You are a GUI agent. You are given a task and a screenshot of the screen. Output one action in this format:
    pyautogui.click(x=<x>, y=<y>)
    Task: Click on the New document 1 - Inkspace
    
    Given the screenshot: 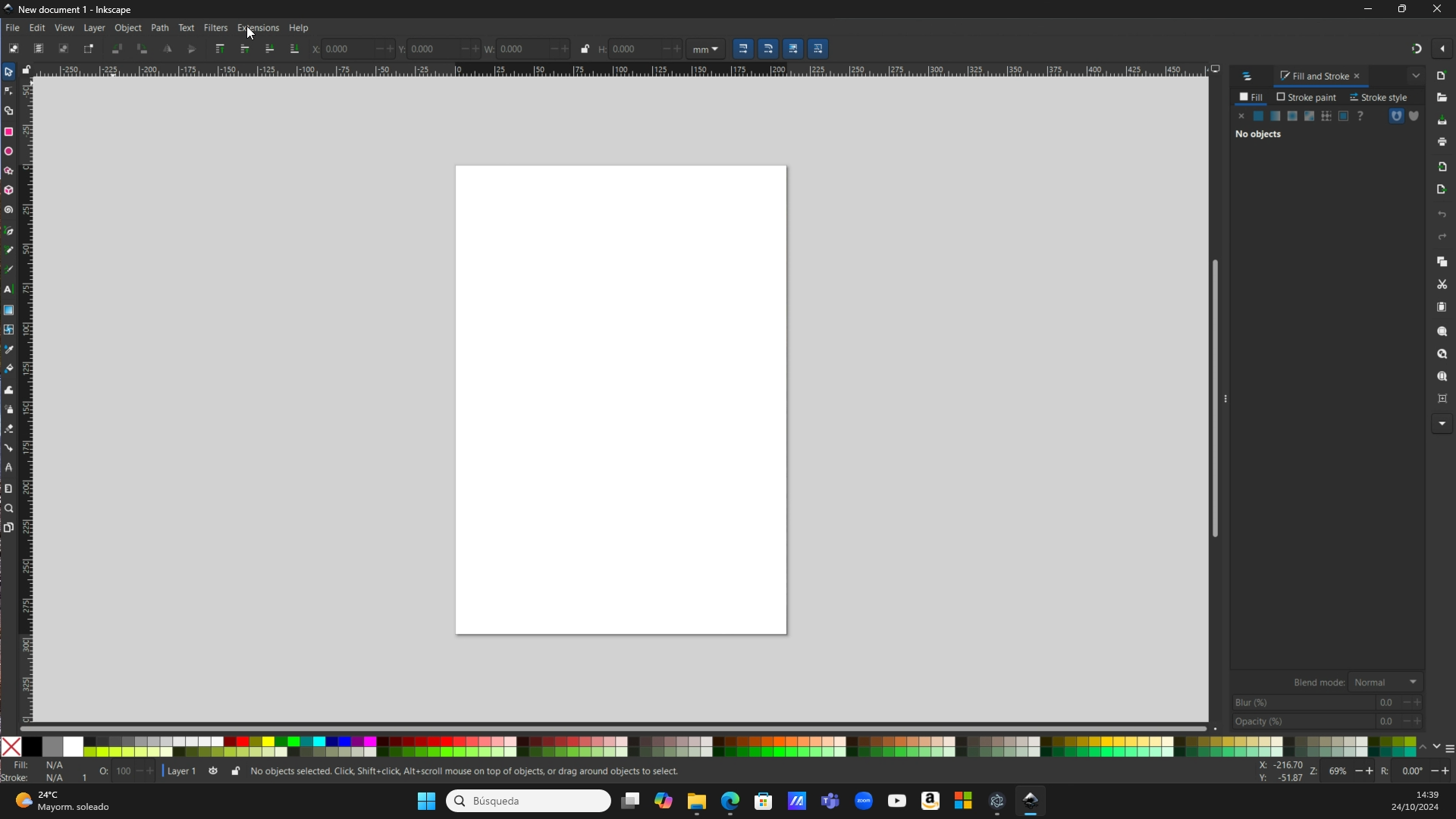 What is the action you would take?
    pyautogui.click(x=74, y=9)
    